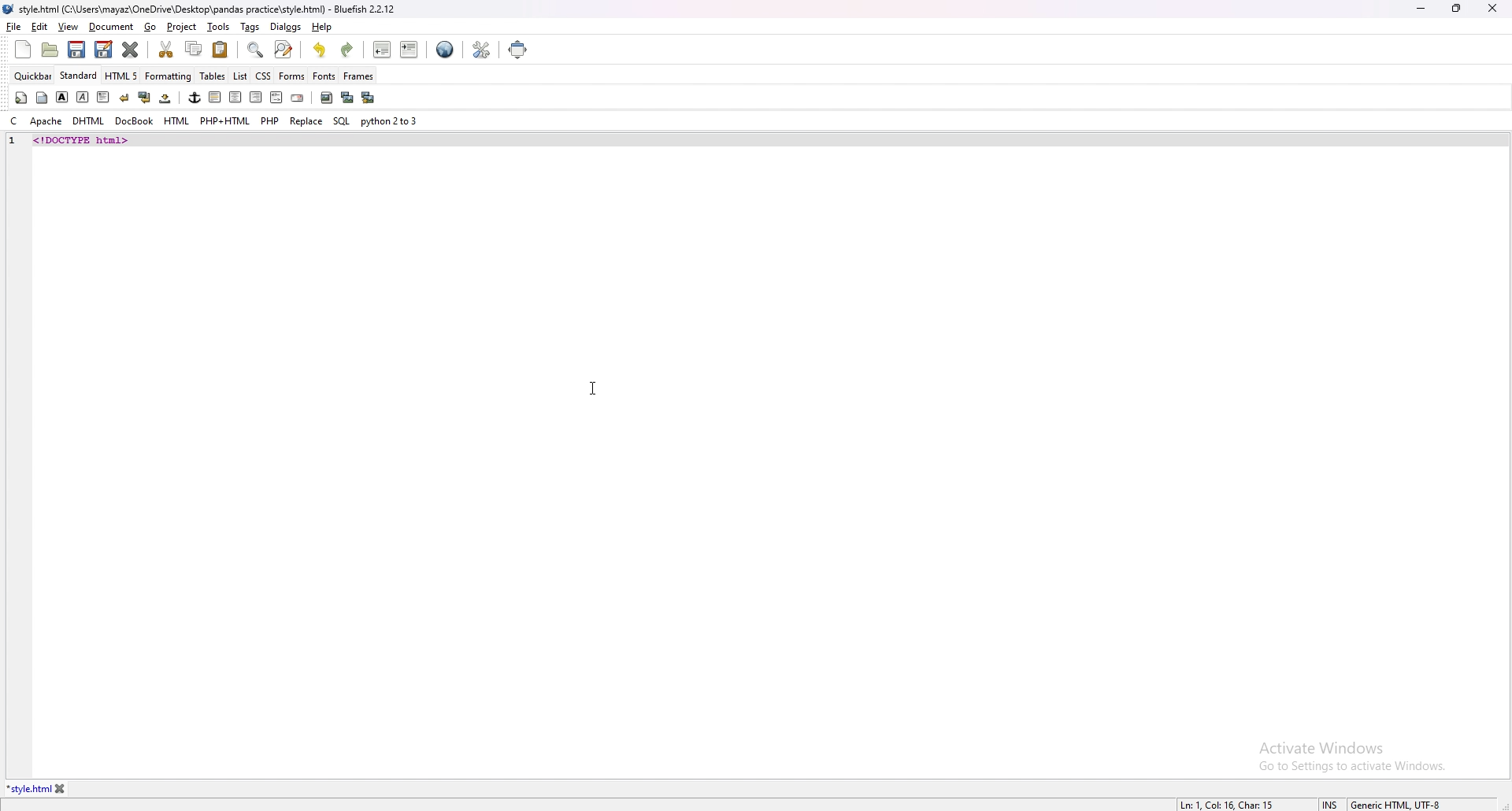 This screenshot has height=811, width=1512. What do you see at coordinates (128, 139) in the screenshot?
I see `code` at bounding box center [128, 139].